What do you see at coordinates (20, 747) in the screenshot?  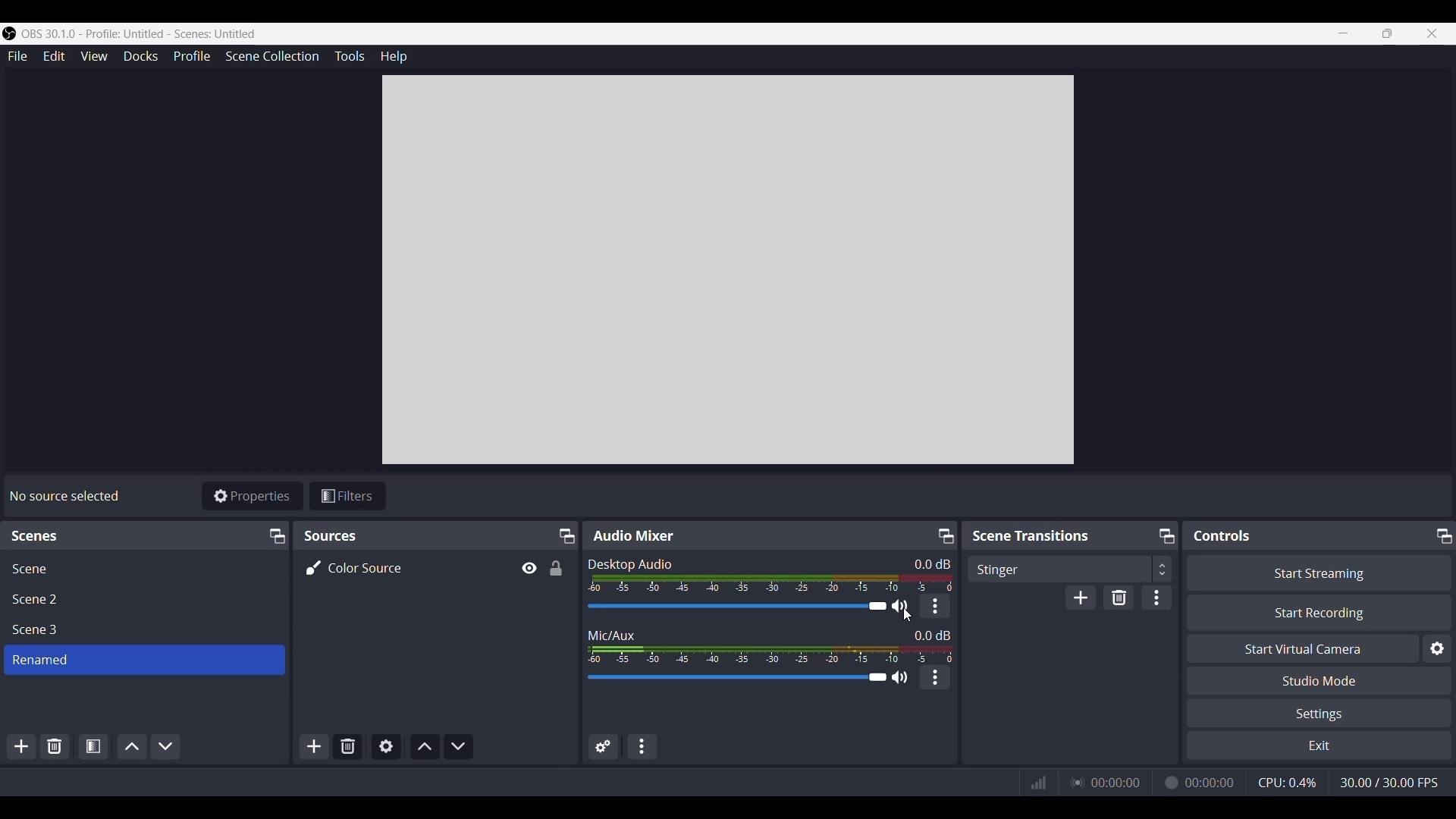 I see `Add new scene` at bounding box center [20, 747].